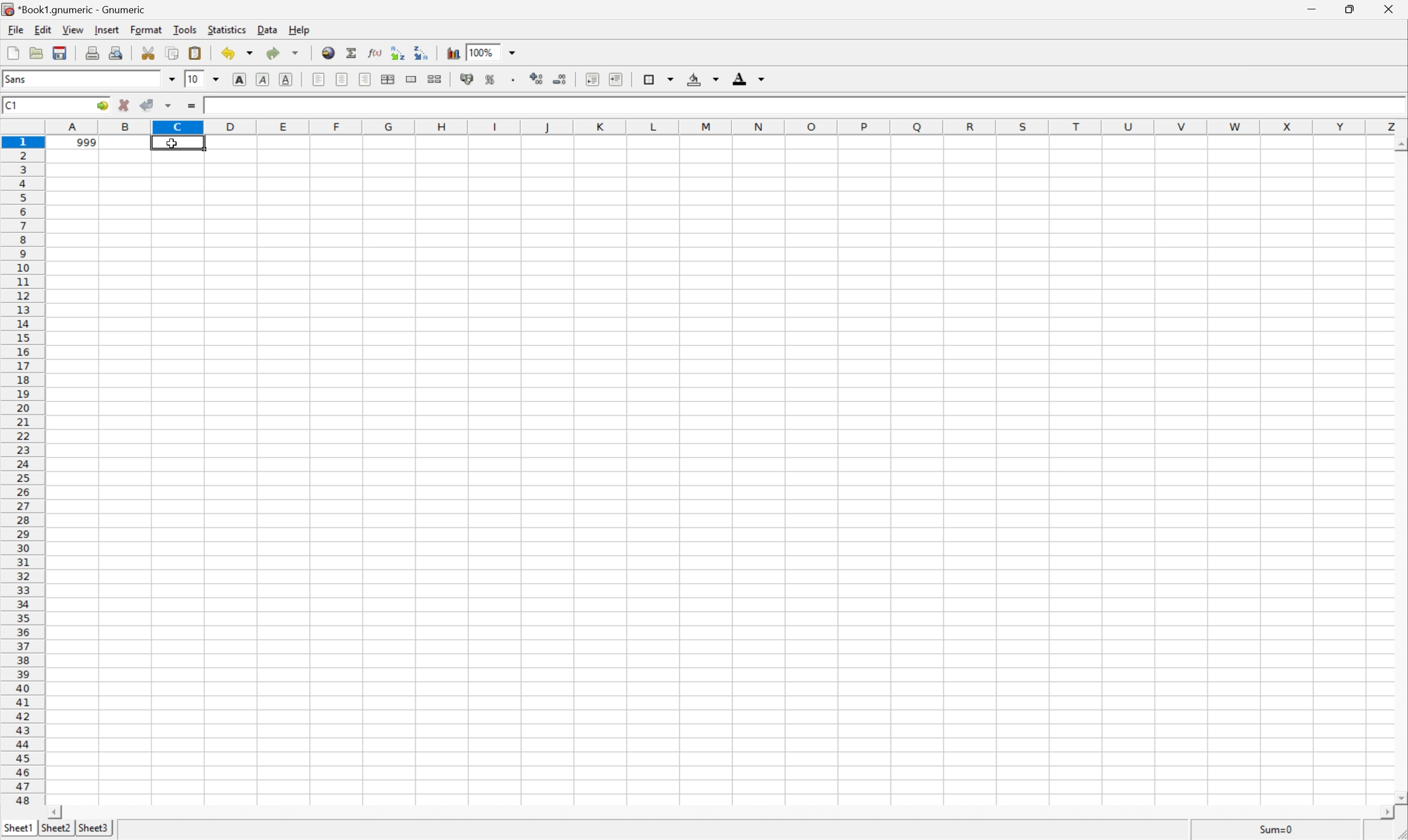  I want to click on scroll down, so click(1399, 799).